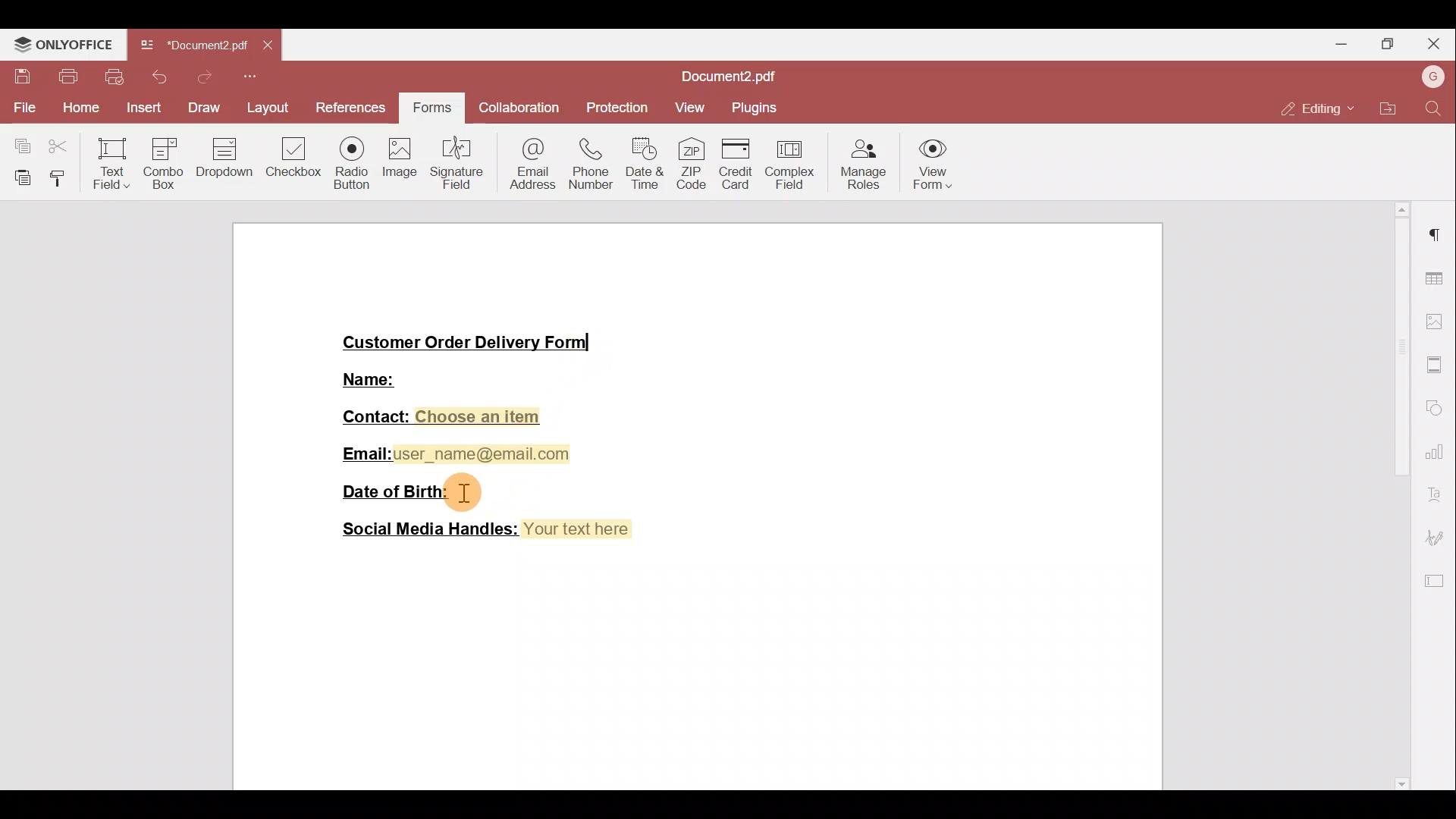  What do you see at coordinates (458, 454) in the screenshot?
I see `Email:user_name@email.com` at bounding box center [458, 454].